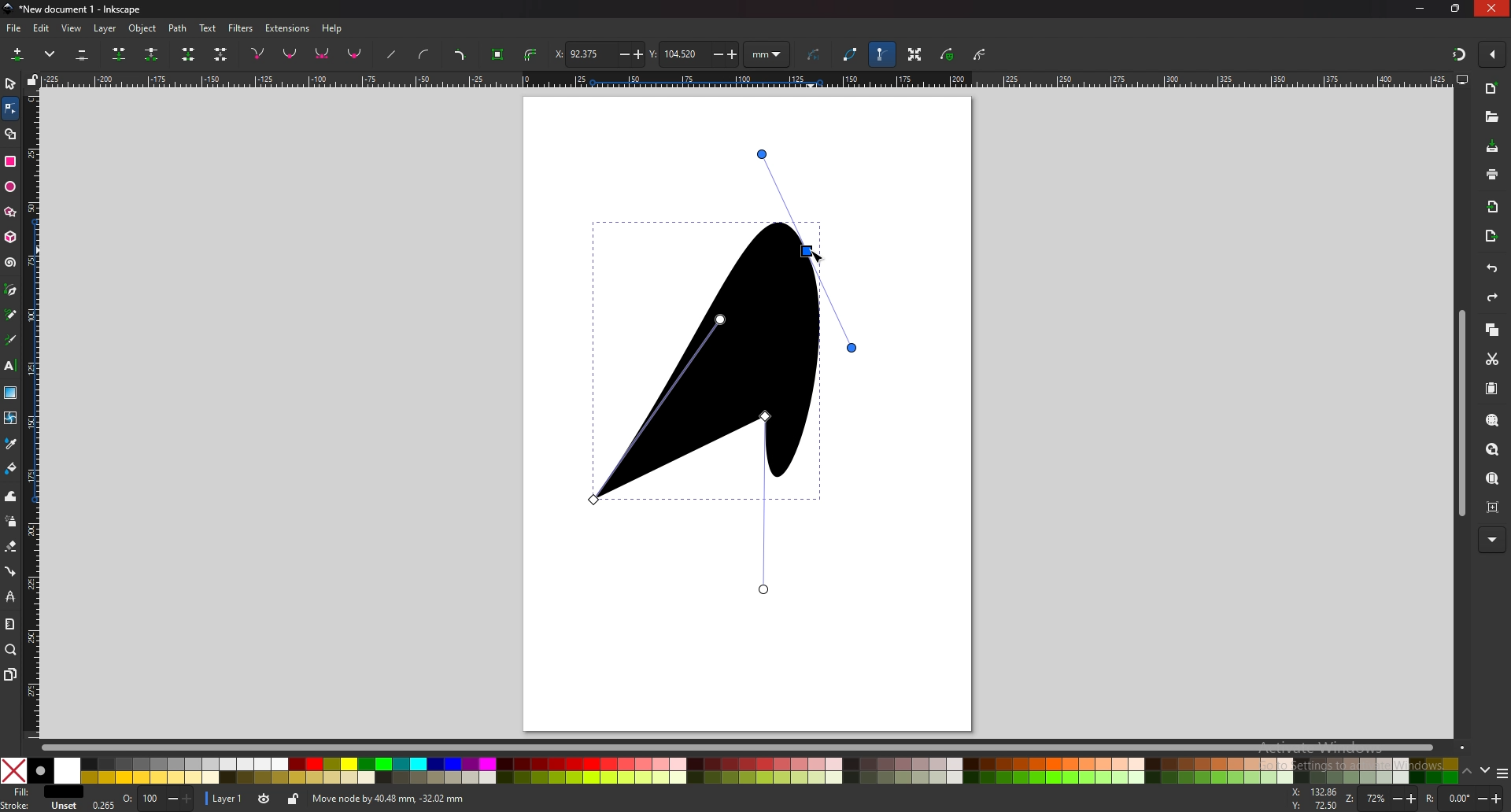 This screenshot has width=1511, height=812. Describe the element at coordinates (460, 55) in the screenshot. I see `add corners lpe` at that location.